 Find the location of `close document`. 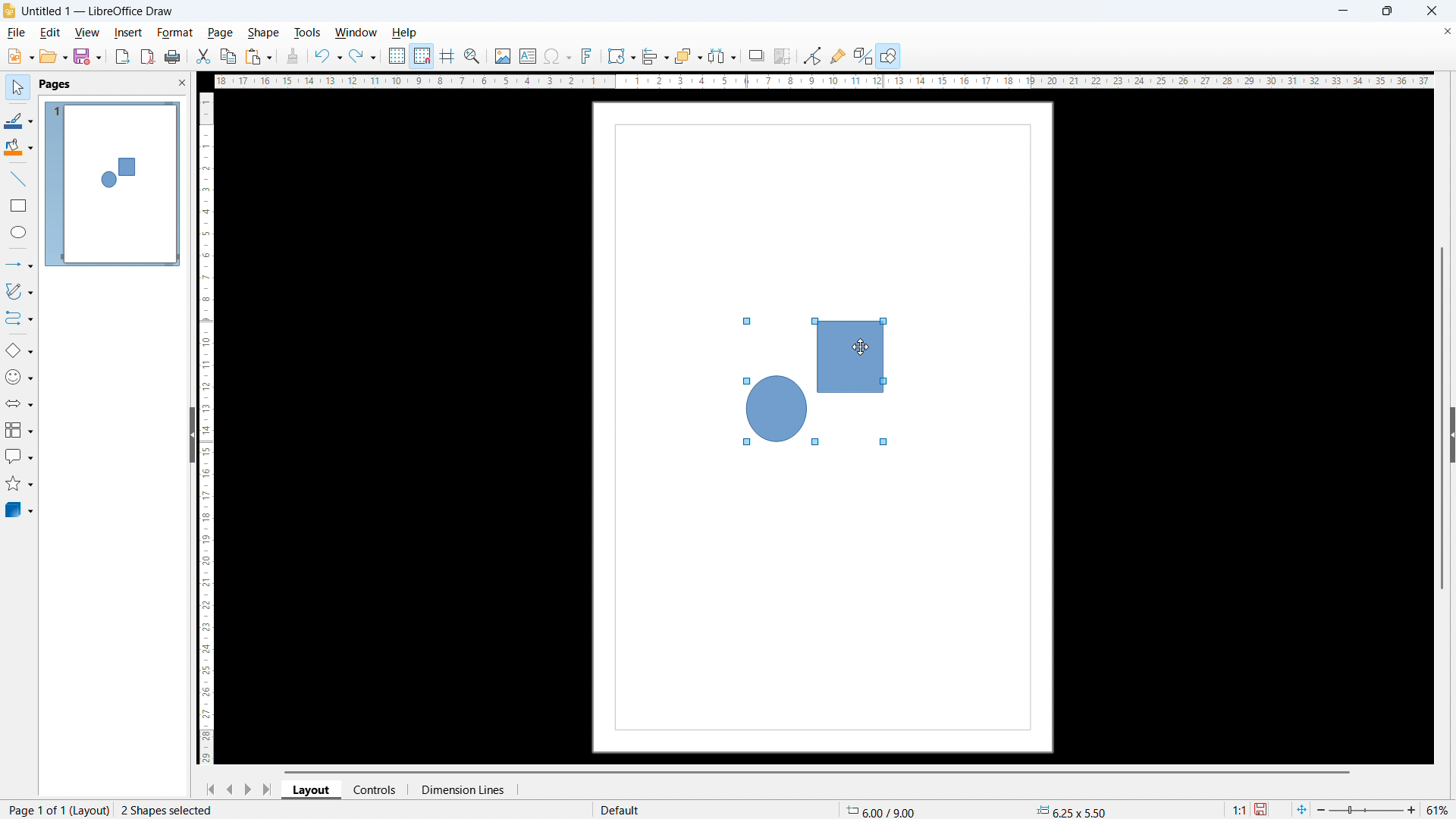

close document is located at coordinates (1447, 30).